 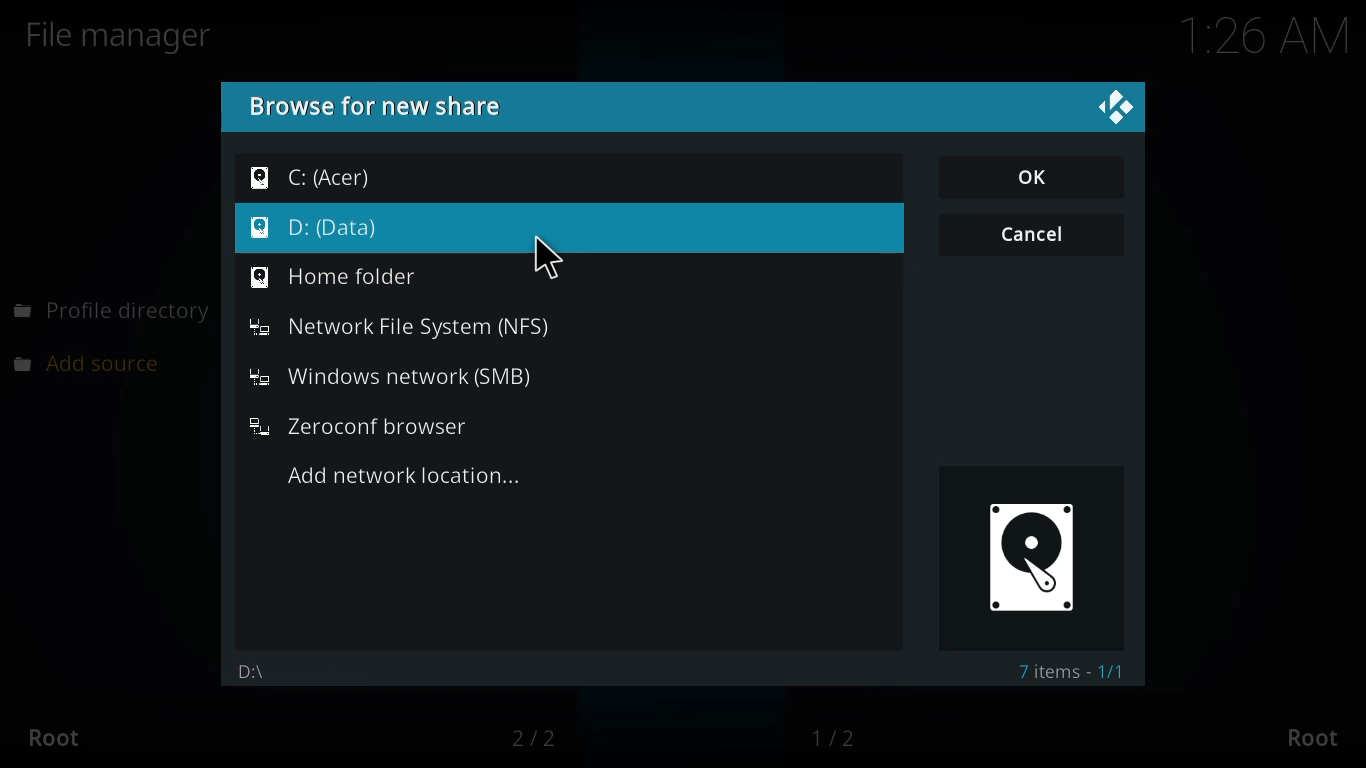 I want to click on add network location, so click(x=404, y=476).